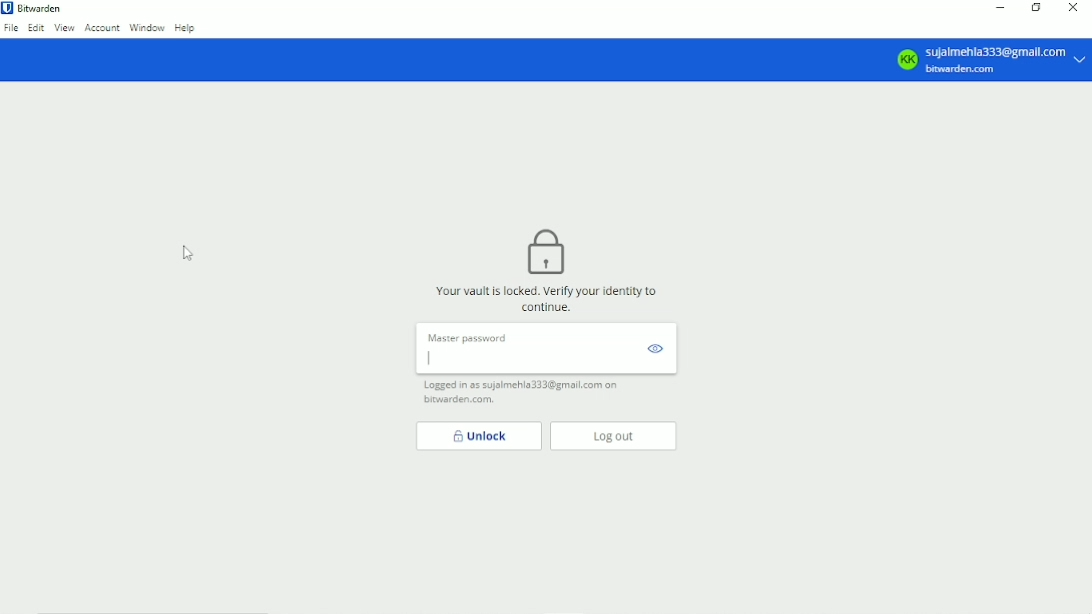 The width and height of the screenshot is (1092, 614). Describe the element at coordinates (993, 60) in the screenshot. I see `sujalmehla333@gmall.com   bitwarden.com` at that location.